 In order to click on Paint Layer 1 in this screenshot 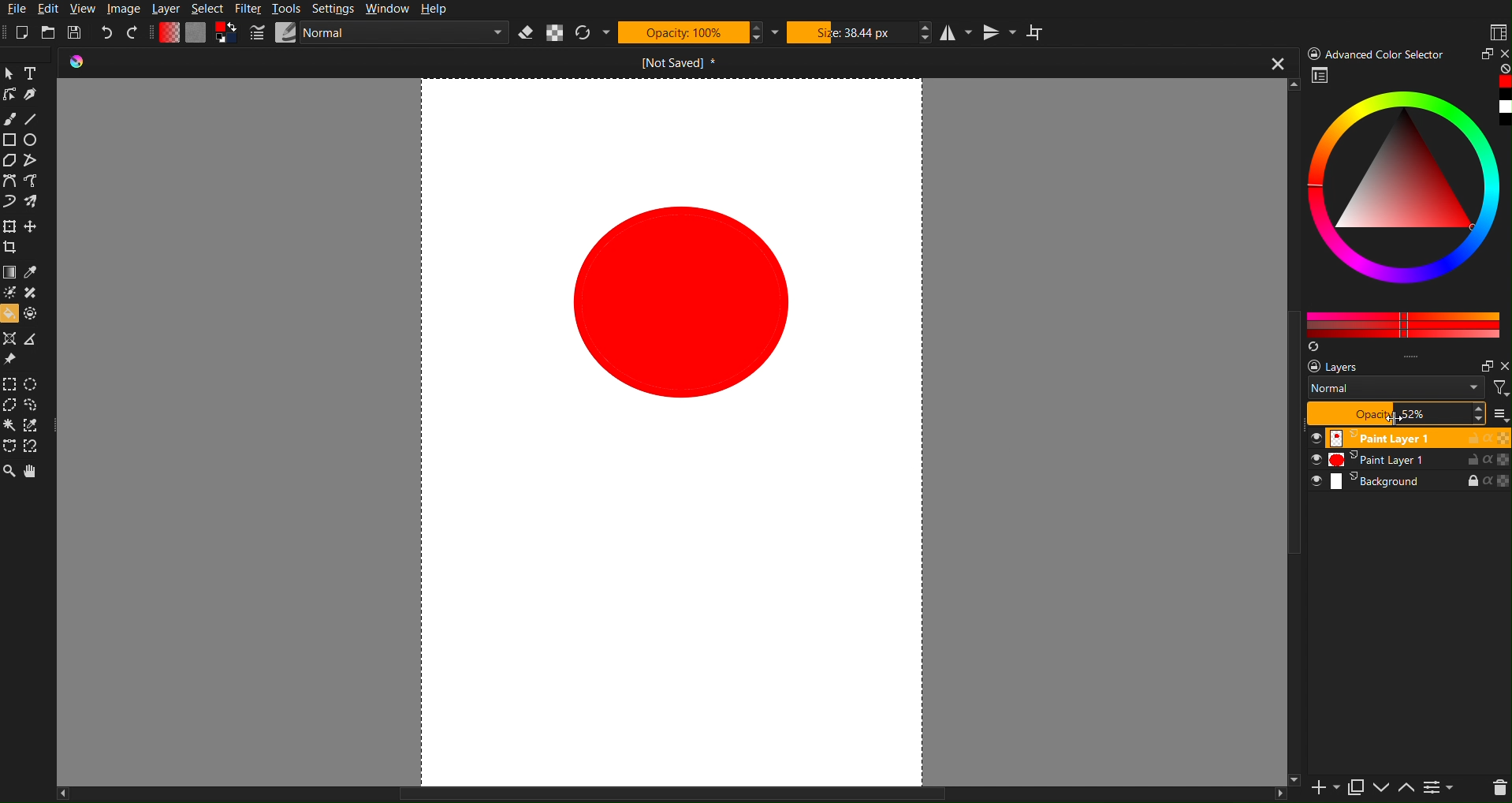, I will do `click(1409, 439)`.